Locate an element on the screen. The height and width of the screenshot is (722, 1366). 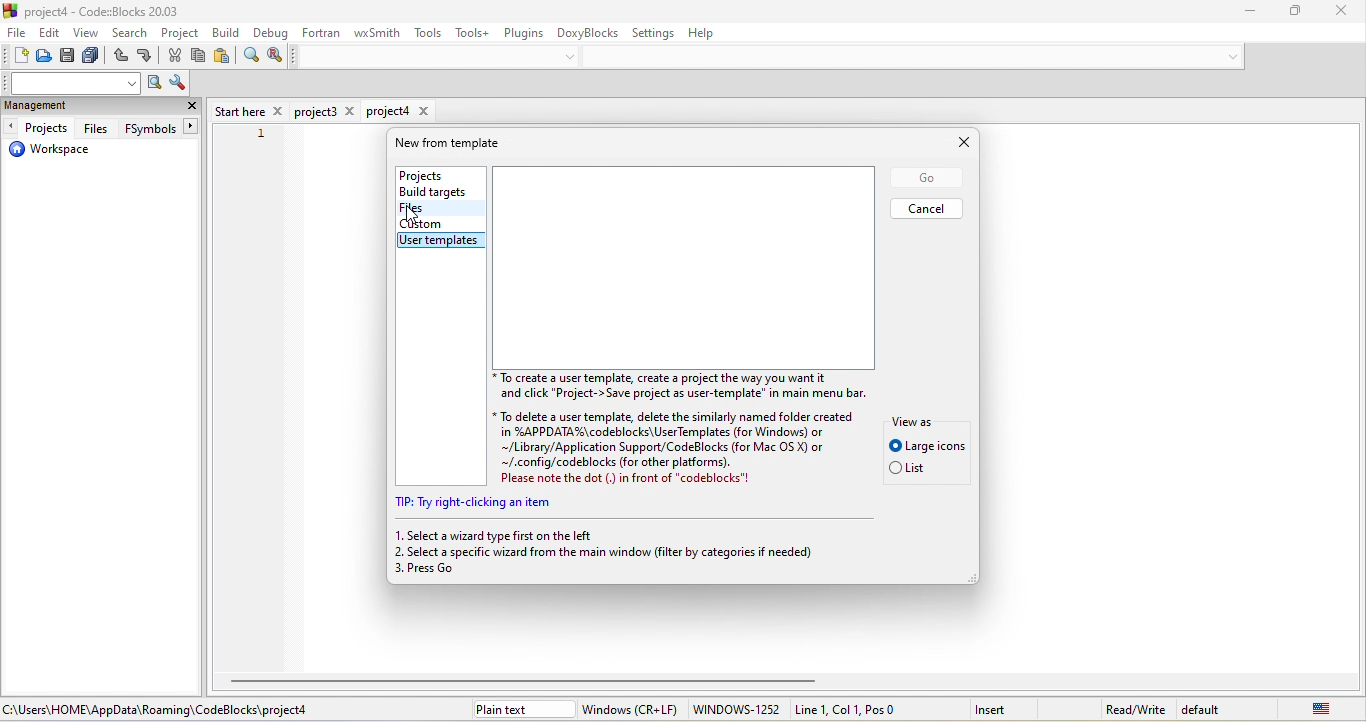
close is located at coordinates (192, 108).